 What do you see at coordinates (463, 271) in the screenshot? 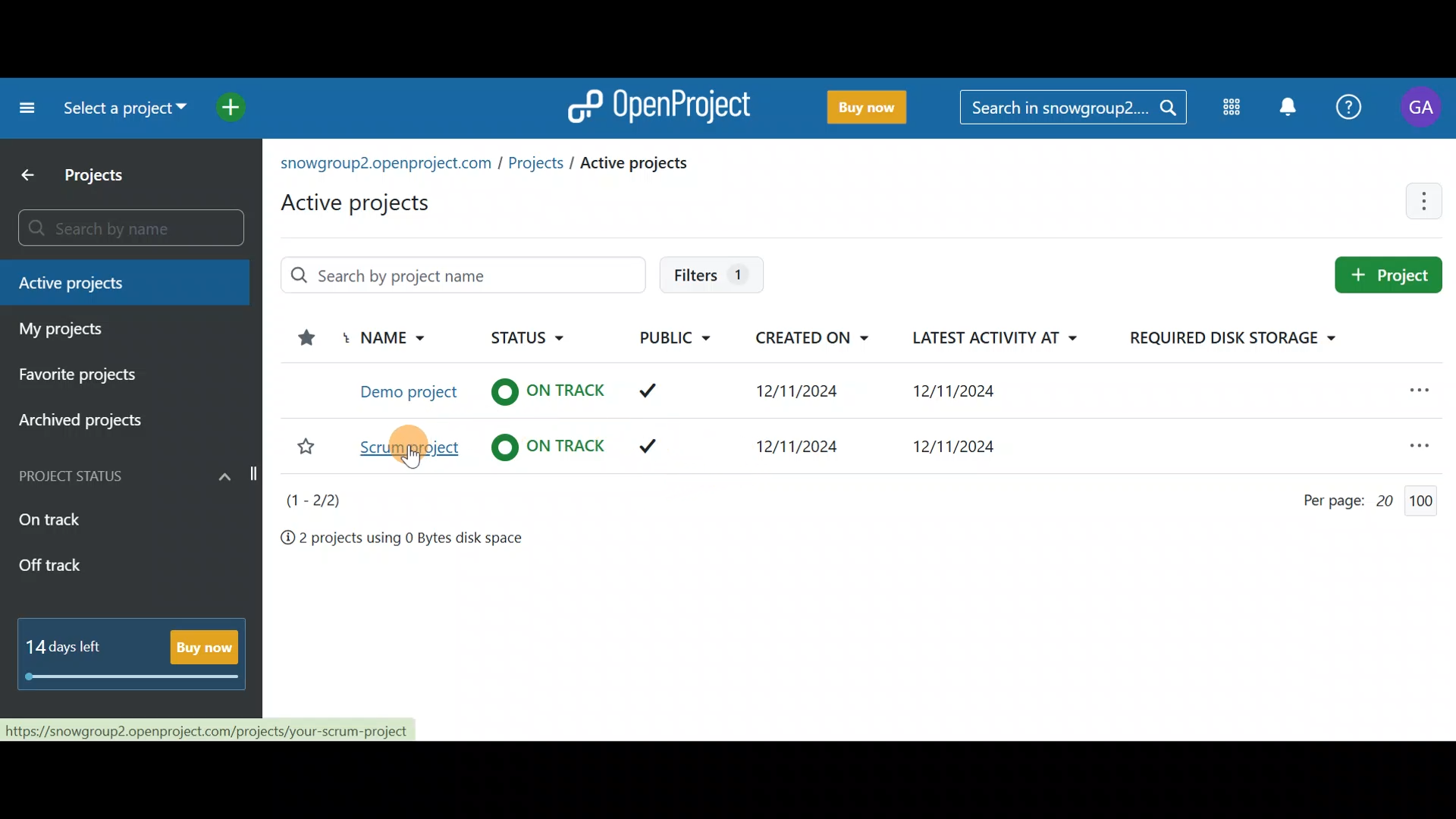
I see `Search bar` at bounding box center [463, 271].